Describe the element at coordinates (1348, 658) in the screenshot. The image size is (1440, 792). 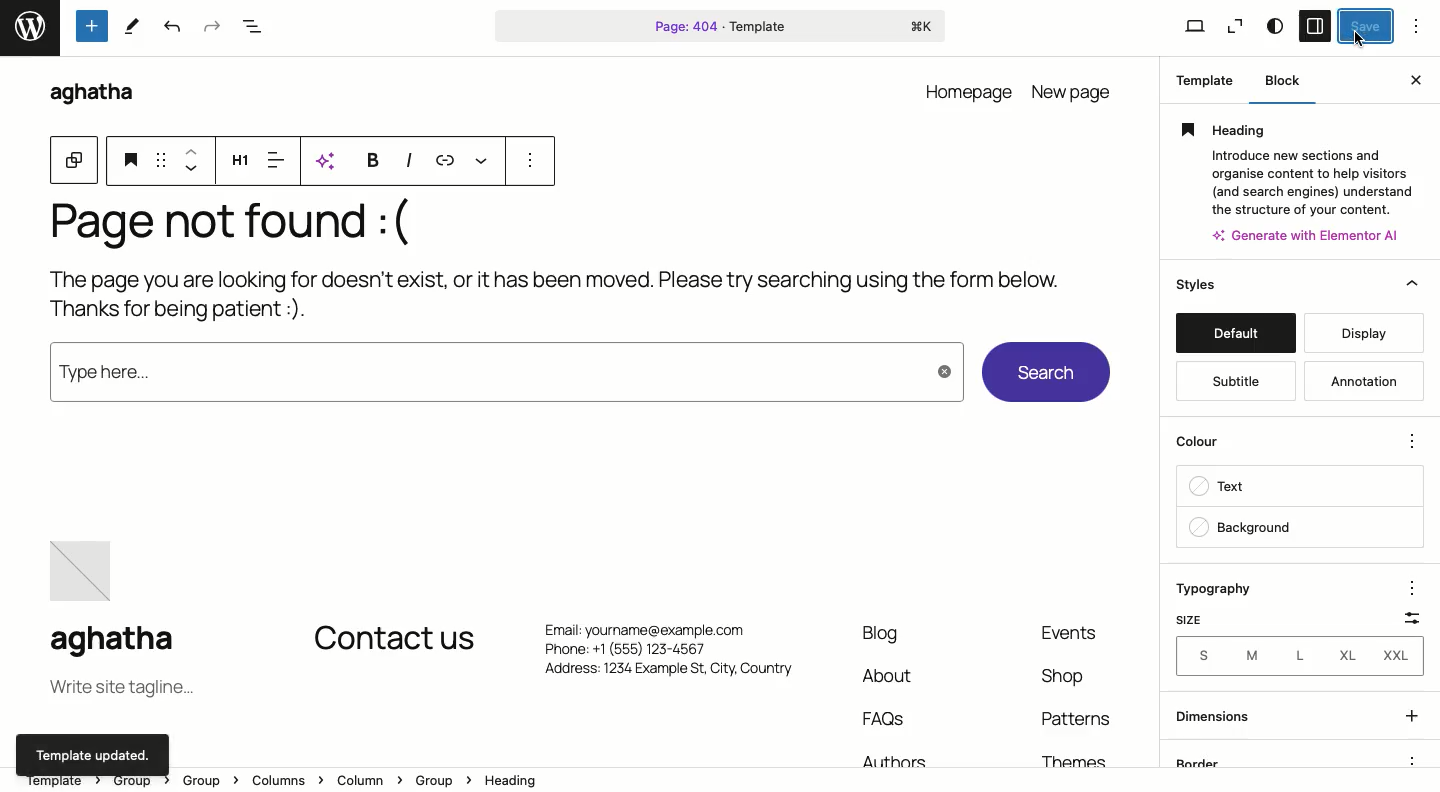
I see `XL` at that location.